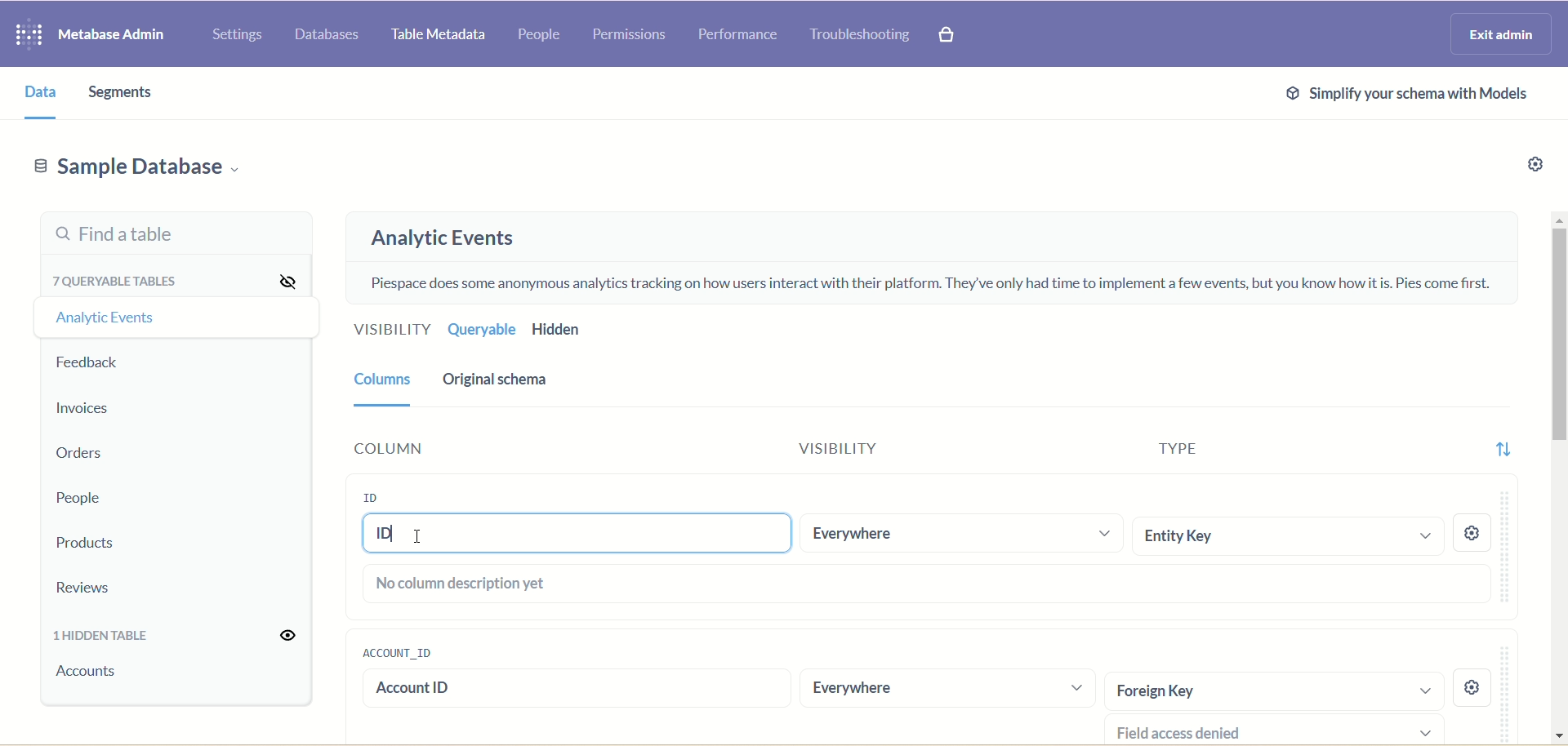 Image resolution: width=1568 pixels, height=746 pixels. Describe the element at coordinates (74, 498) in the screenshot. I see `People` at that location.